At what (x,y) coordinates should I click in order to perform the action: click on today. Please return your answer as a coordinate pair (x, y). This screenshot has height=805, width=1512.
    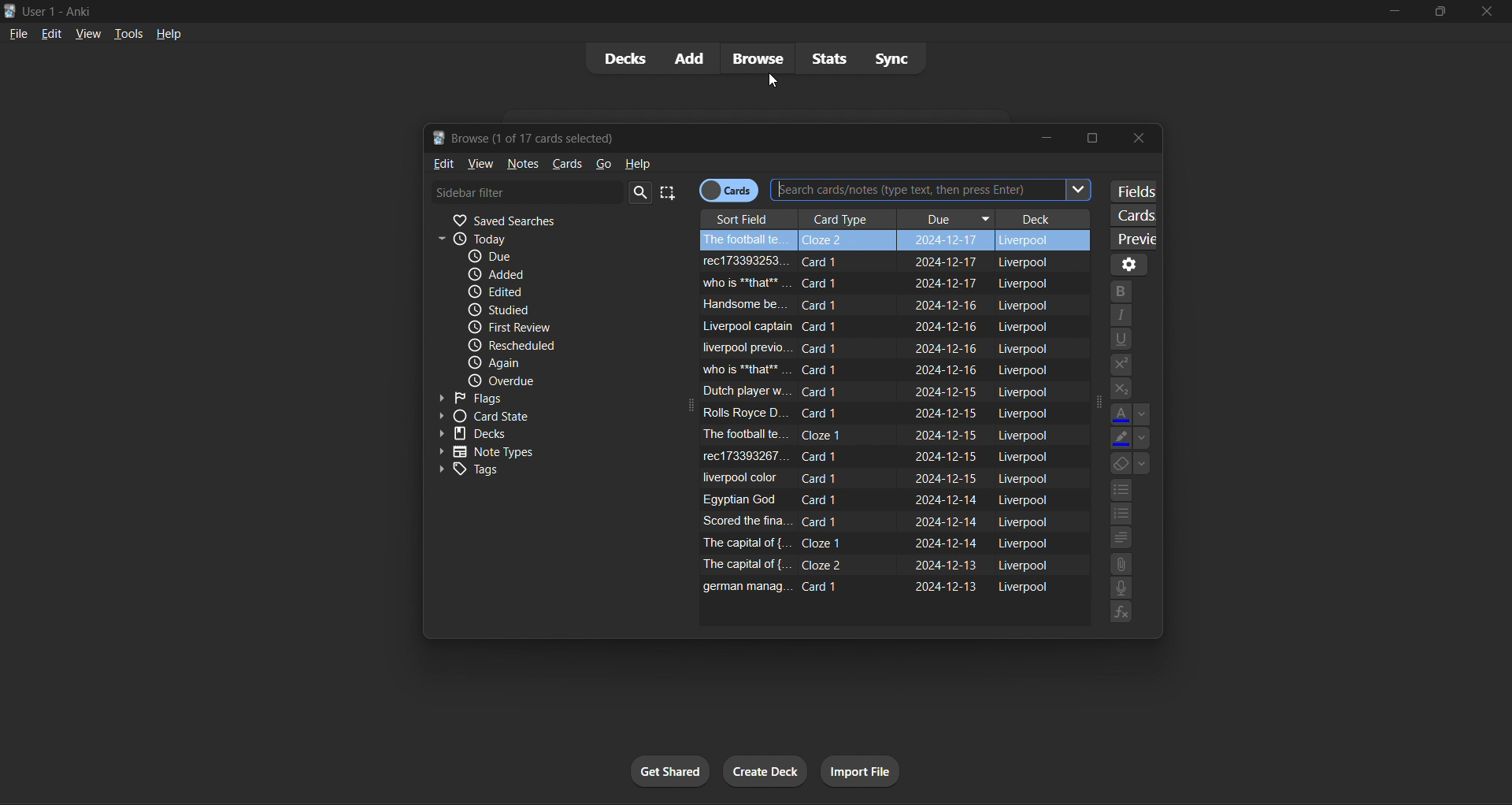
    Looking at the image, I should click on (550, 239).